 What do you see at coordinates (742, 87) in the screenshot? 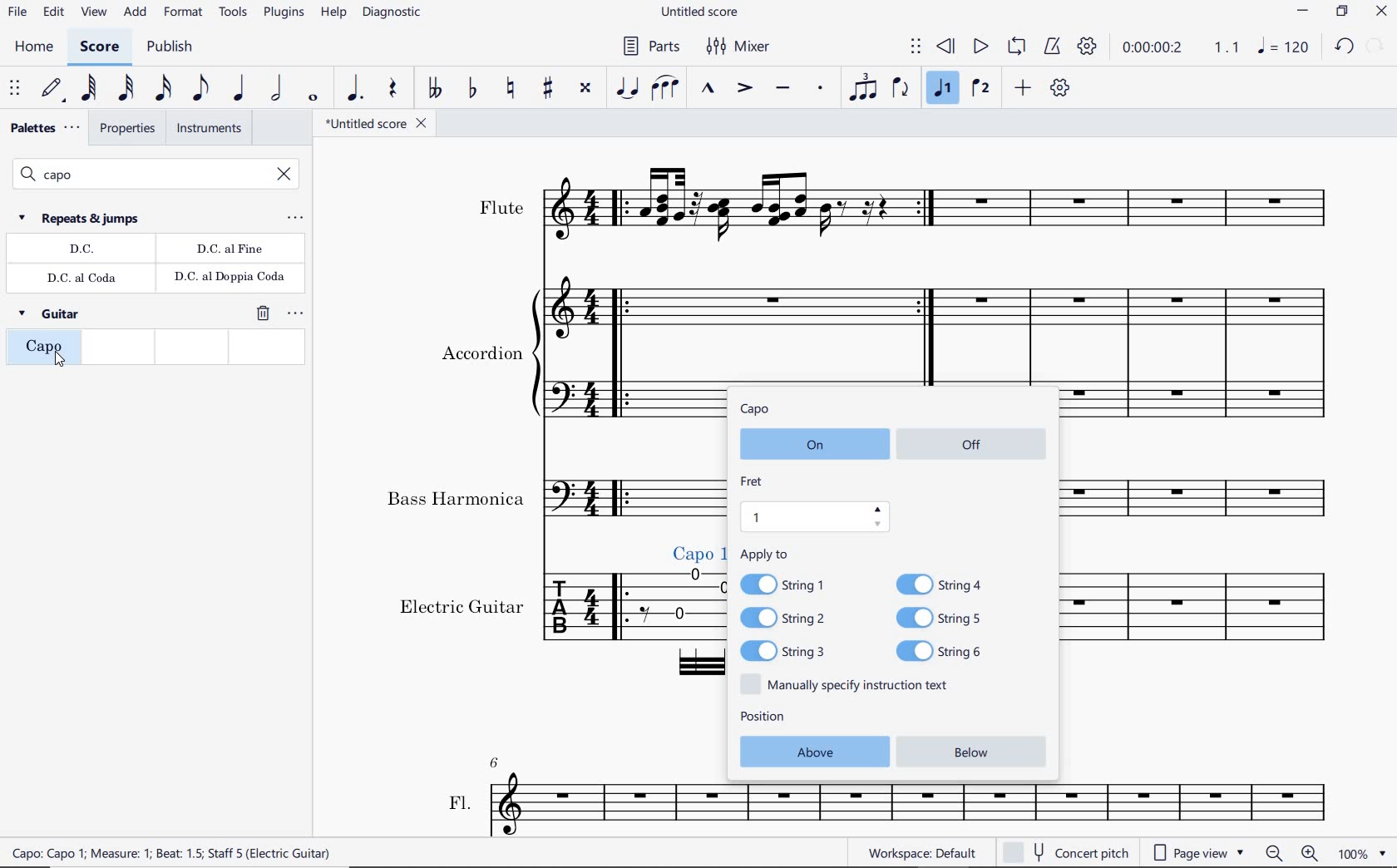
I see `accent` at bounding box center [742, 87].